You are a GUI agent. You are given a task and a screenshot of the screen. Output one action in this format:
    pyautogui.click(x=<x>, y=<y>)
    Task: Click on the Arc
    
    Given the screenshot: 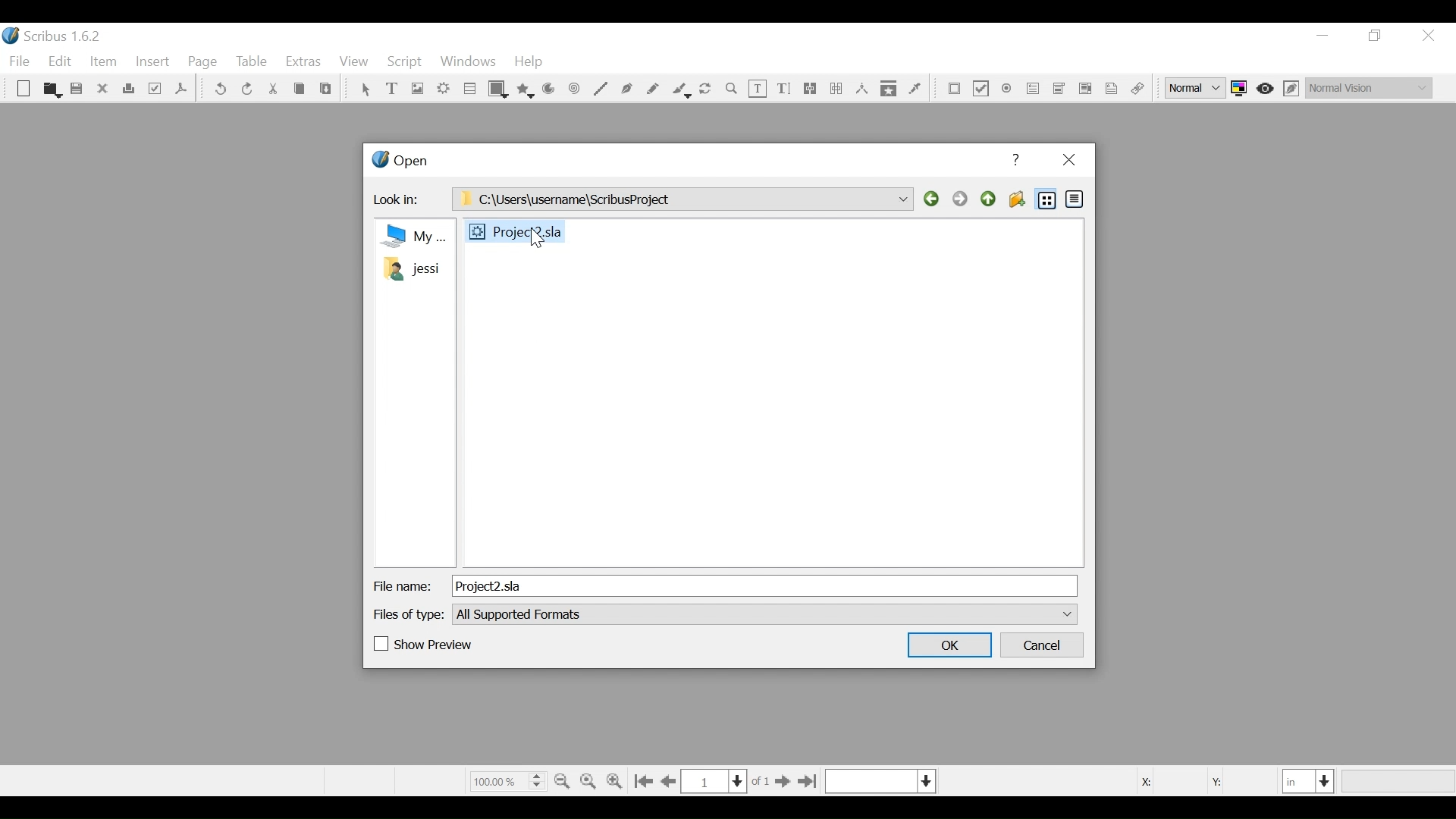 What is the action you would take?
    pyautogui.click(x=549, y=90)
    